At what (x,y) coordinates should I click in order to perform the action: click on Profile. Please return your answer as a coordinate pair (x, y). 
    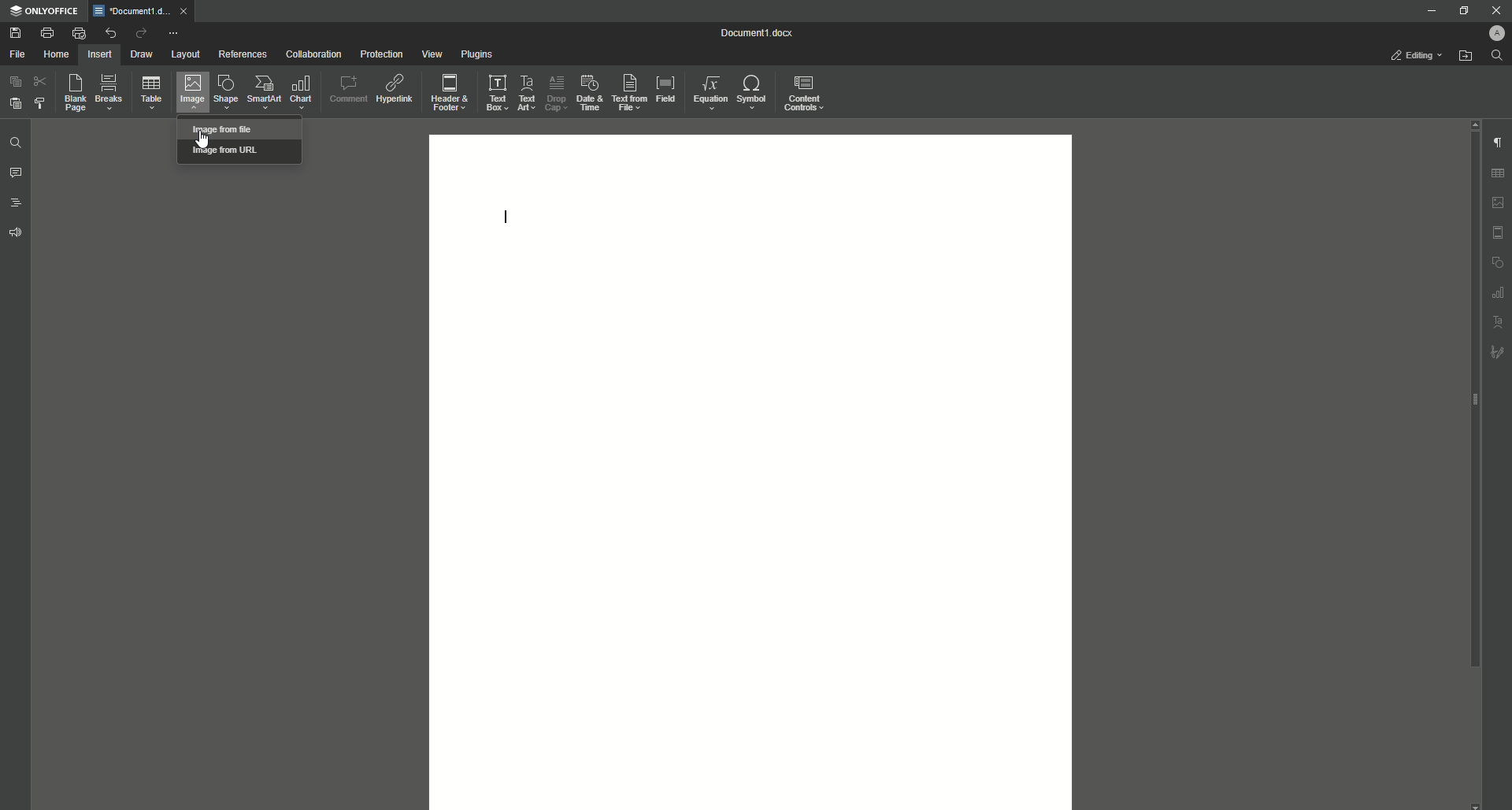
    Looking at the image, I should click on (1495, 32).